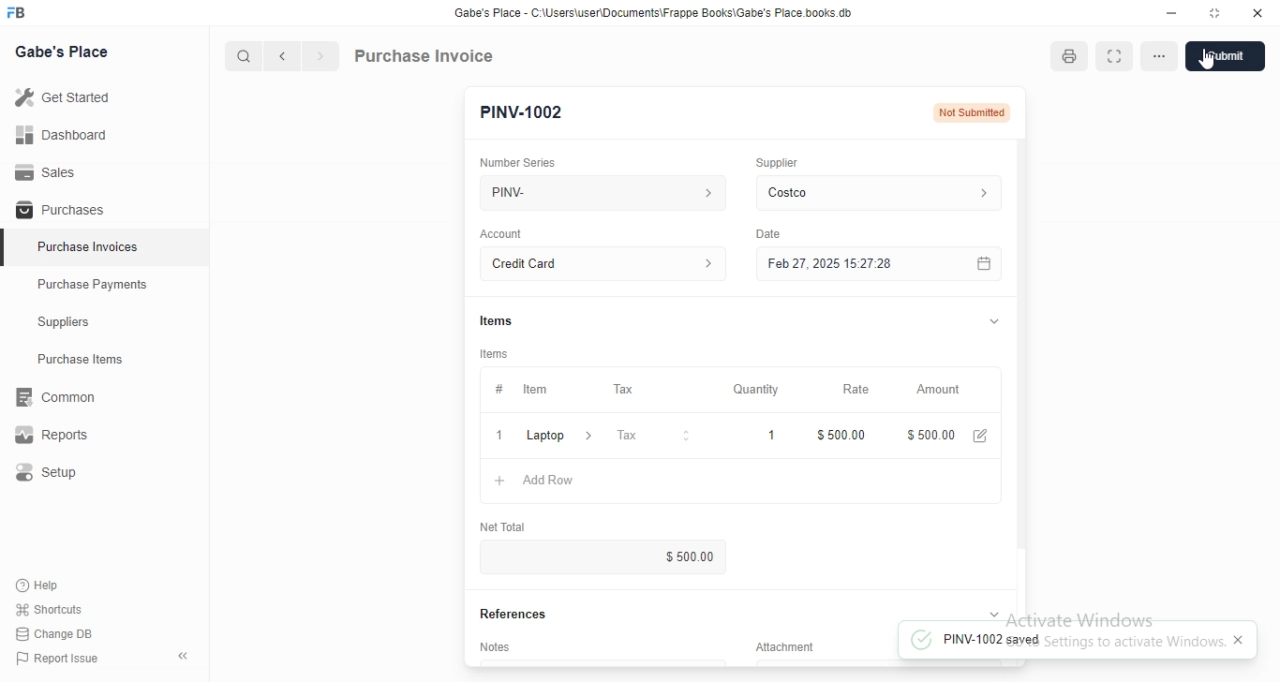 Image resolution: width=1280 pixels, height=682 pixels. What do you see at coordinates (603, 662) in the screenshot?
I see `Add invoice terms` at bounding box center [603, 662].